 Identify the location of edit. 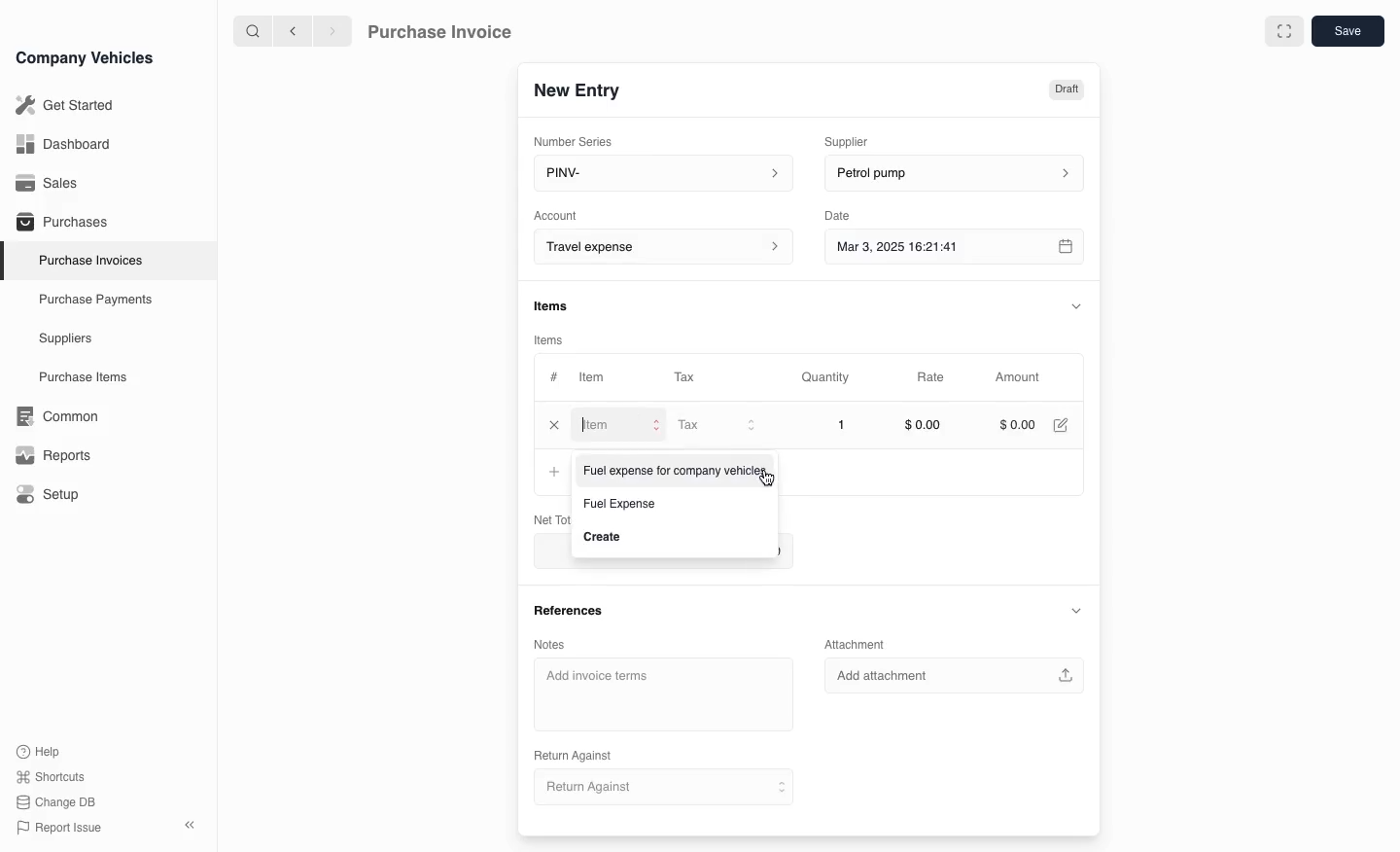
(1063, 426).